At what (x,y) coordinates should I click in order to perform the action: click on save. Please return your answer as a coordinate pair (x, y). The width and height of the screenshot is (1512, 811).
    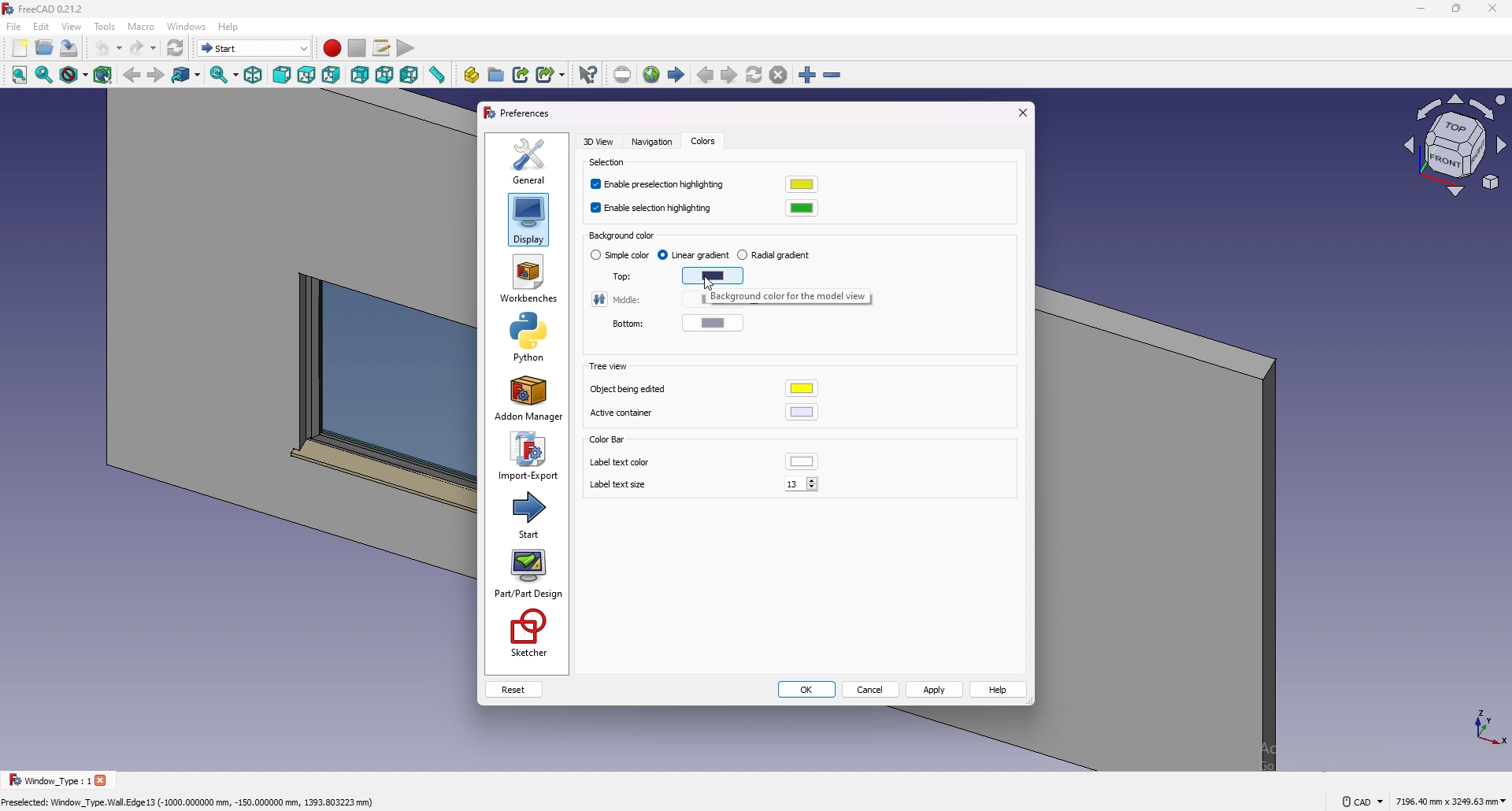
    Looking at the image, I should click on (69, 47).